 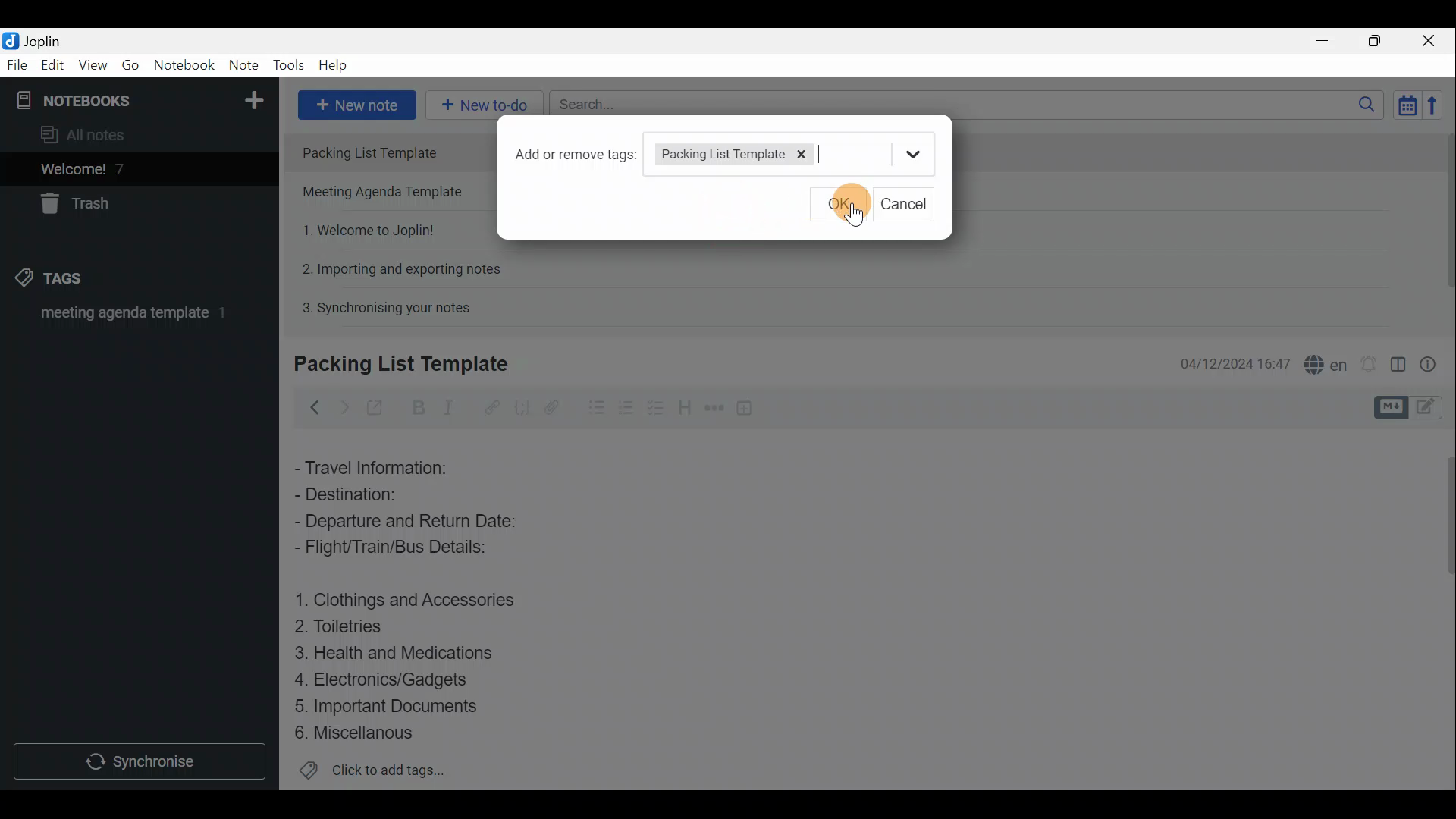 What do you see at coordinates (1433, 409) in the screenshot?
I see `Toggle editors` at bounding box center [1433, 409].